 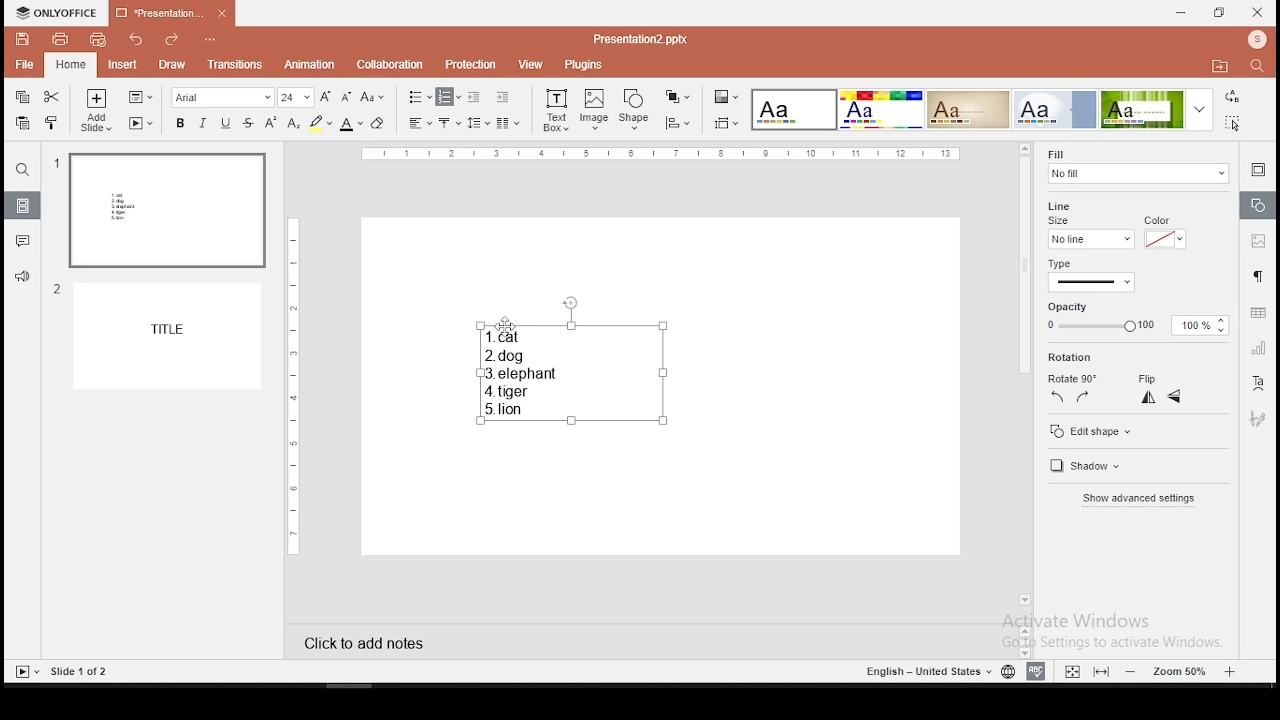 I want to click on options, so click(x=211, y=41).